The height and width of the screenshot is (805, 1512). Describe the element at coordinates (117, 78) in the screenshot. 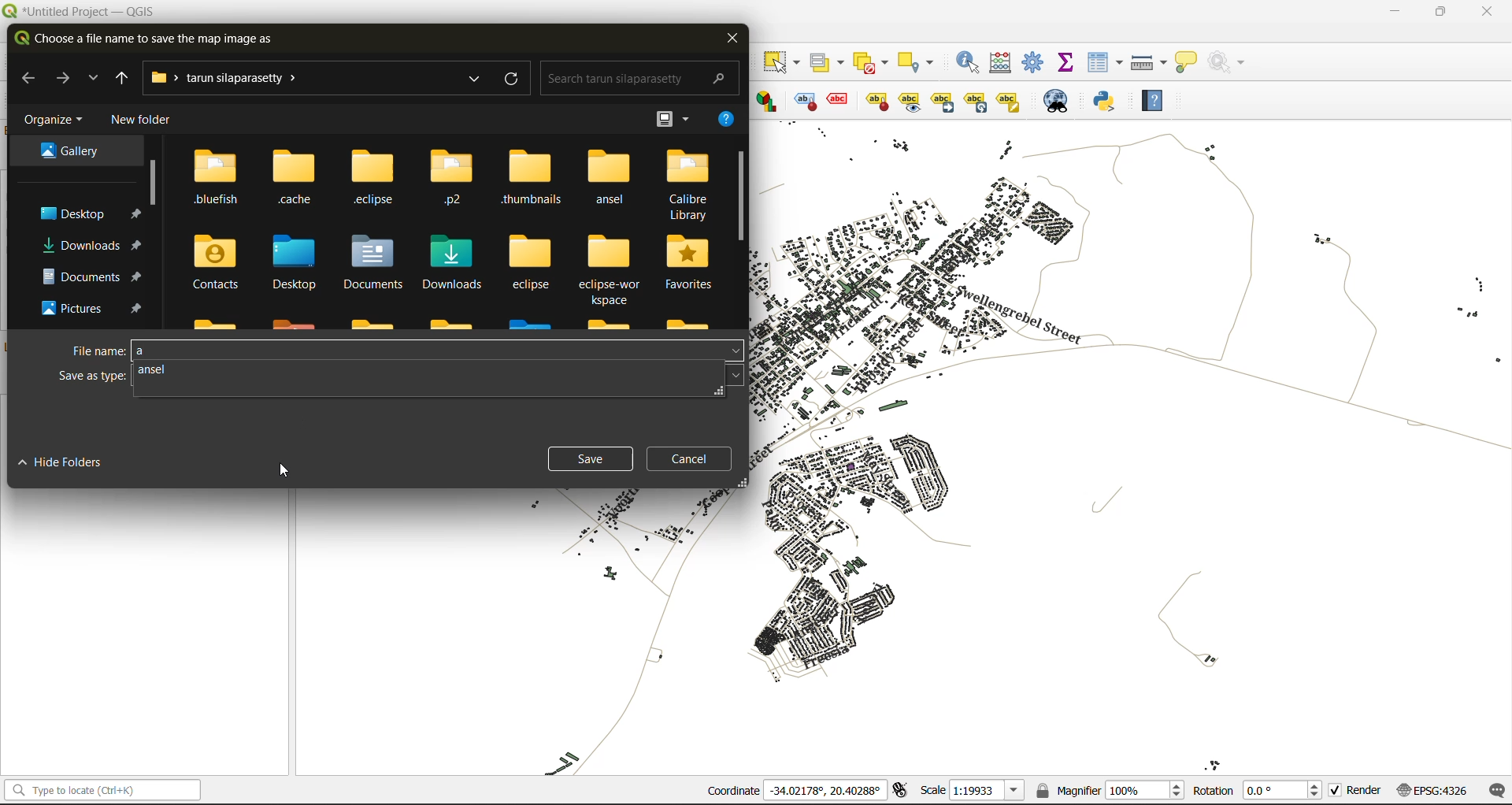

I see `previous folder` at that location.